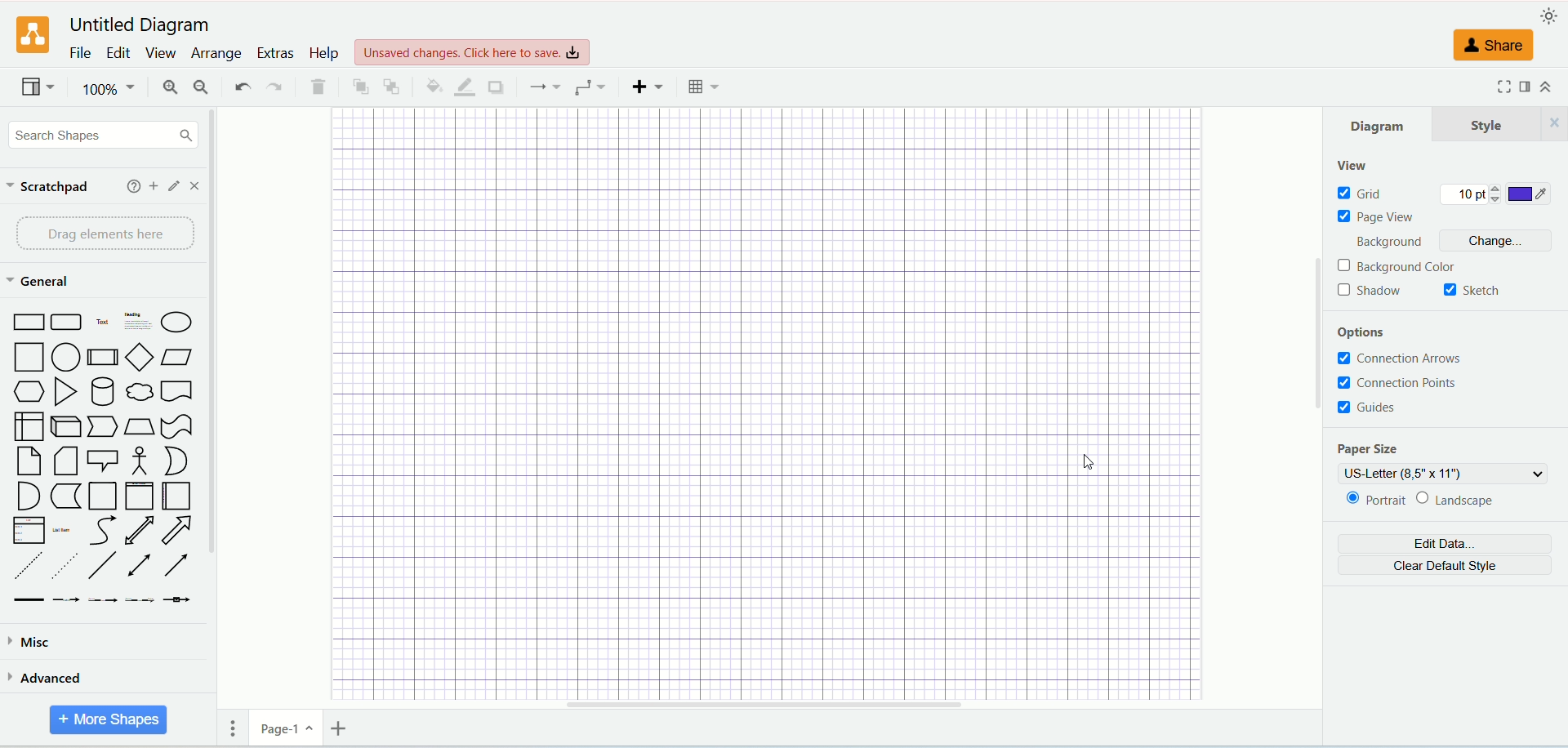 This screenshot has height=748, width=1568. What do you see at coordinates (138, 461) in the screenshot?
I see `Actor` at bounding box center [138, 461].